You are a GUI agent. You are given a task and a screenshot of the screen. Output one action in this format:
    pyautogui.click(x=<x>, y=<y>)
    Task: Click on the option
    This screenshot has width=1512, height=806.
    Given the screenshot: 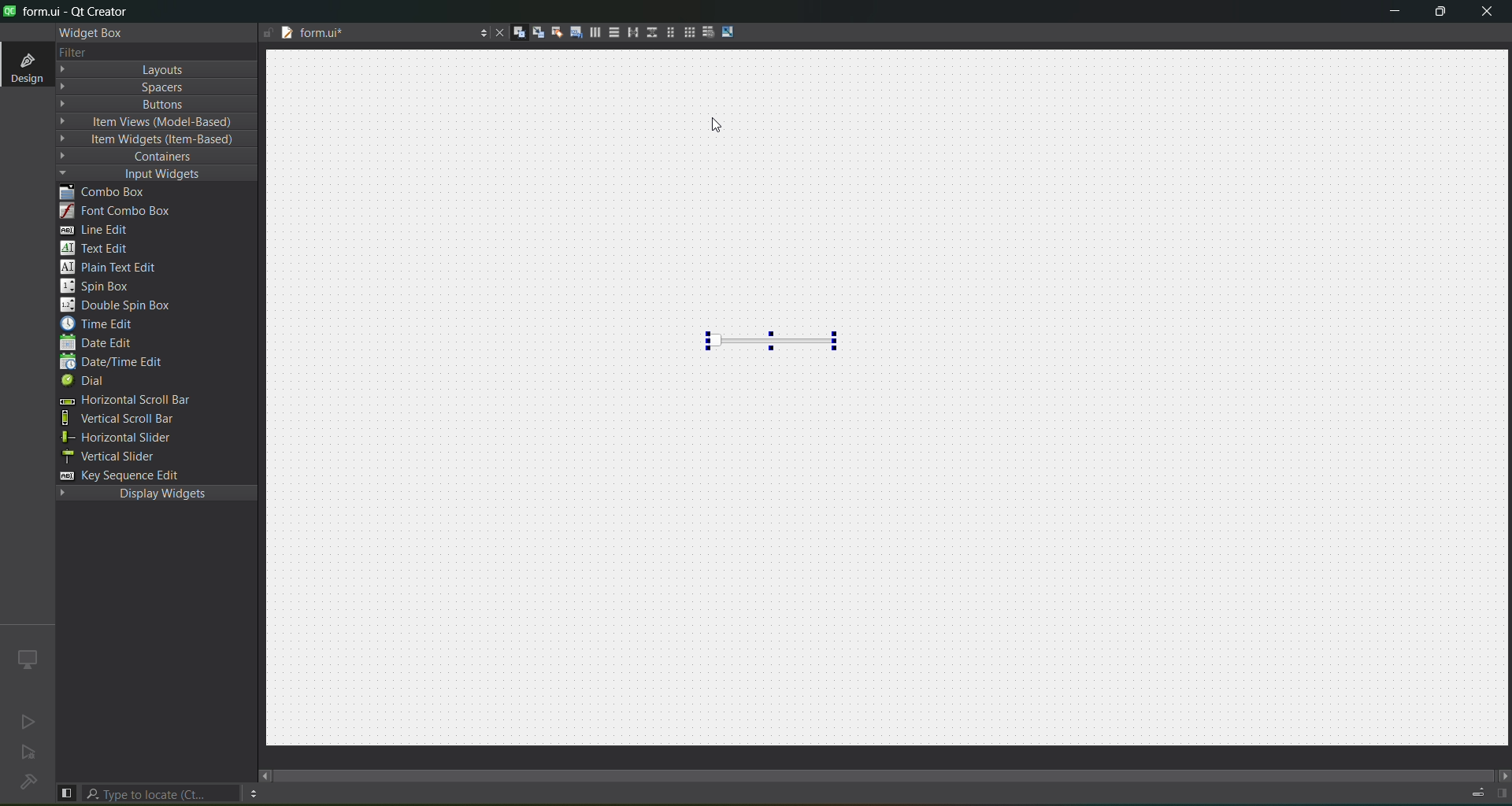 What is the action you would take?
    pyautogui.click(x=254, y=794)
    